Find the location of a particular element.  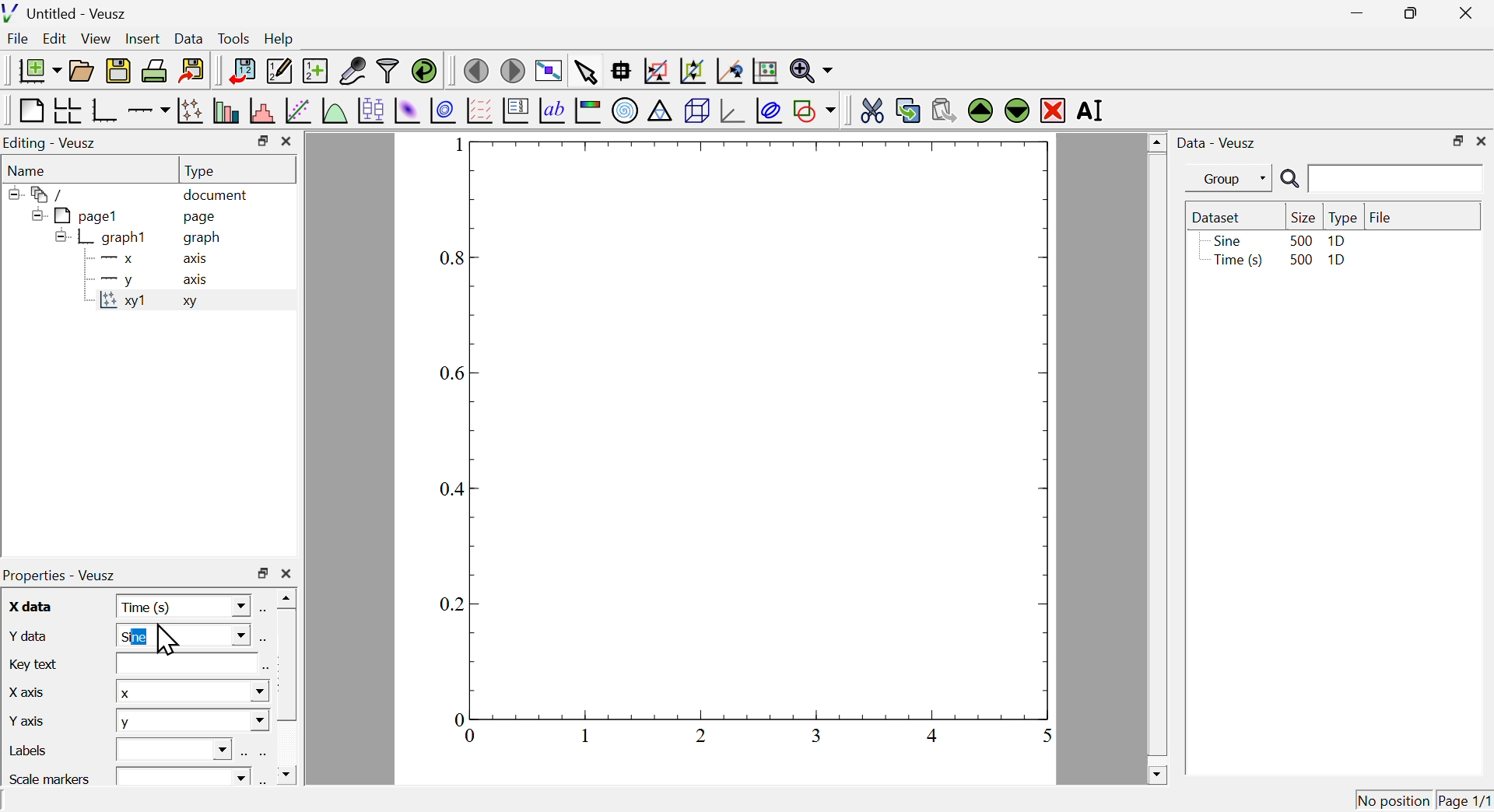

y data is located at coordinates (29, 635).